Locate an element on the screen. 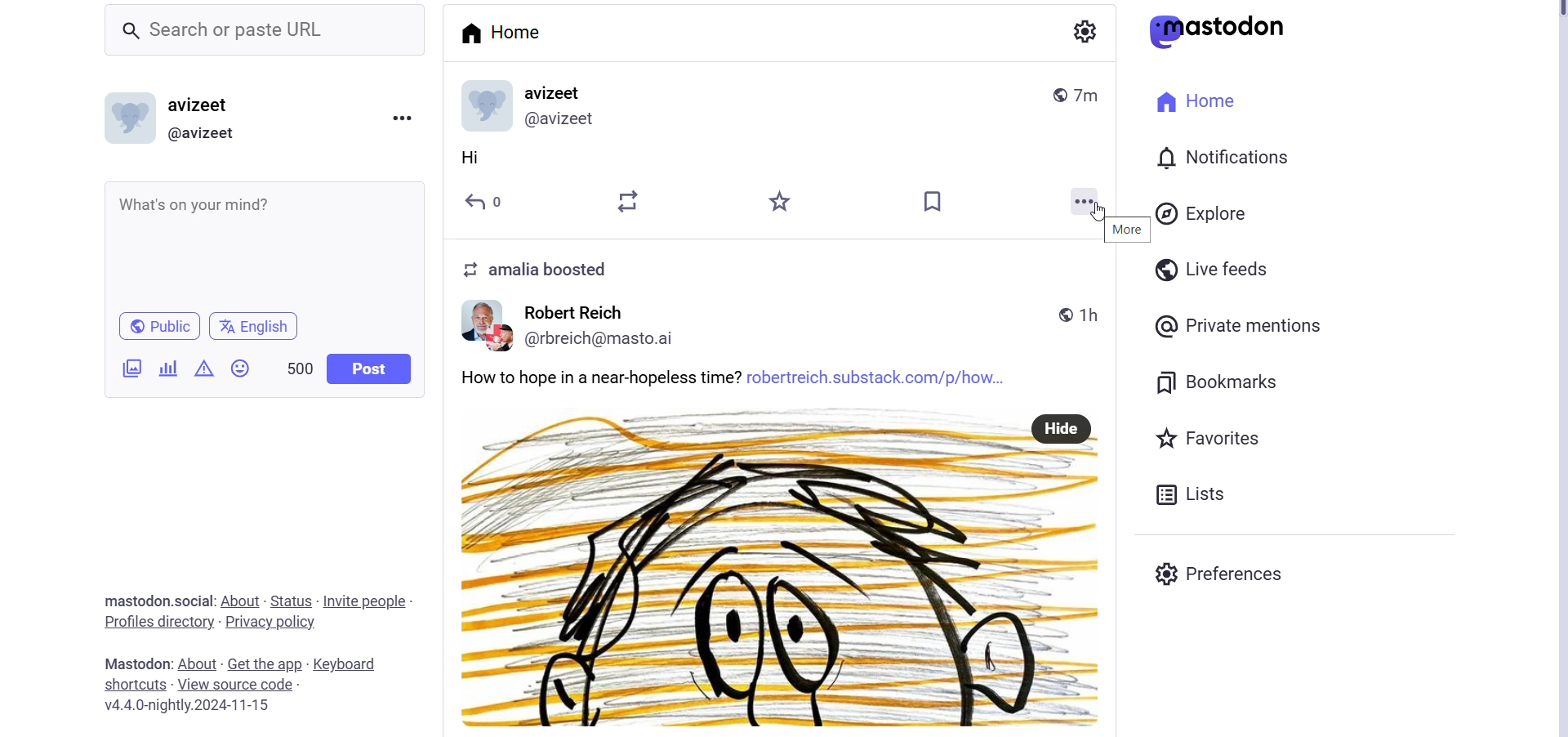 This screenshot has width=1568, height=737. Text is located at coordinates (558, 271).